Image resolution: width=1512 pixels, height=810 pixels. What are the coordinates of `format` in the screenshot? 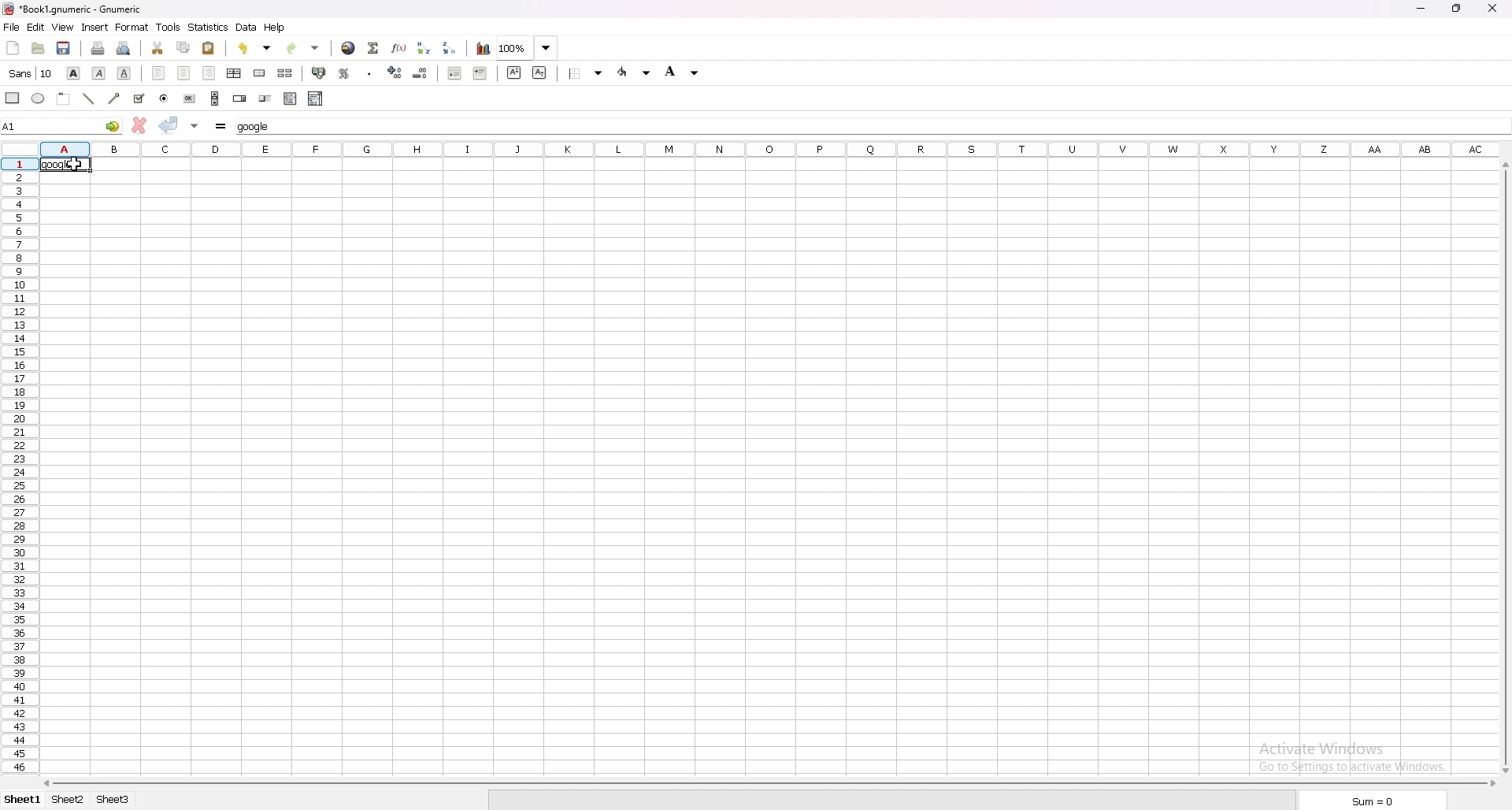 It's located at (132, 27).